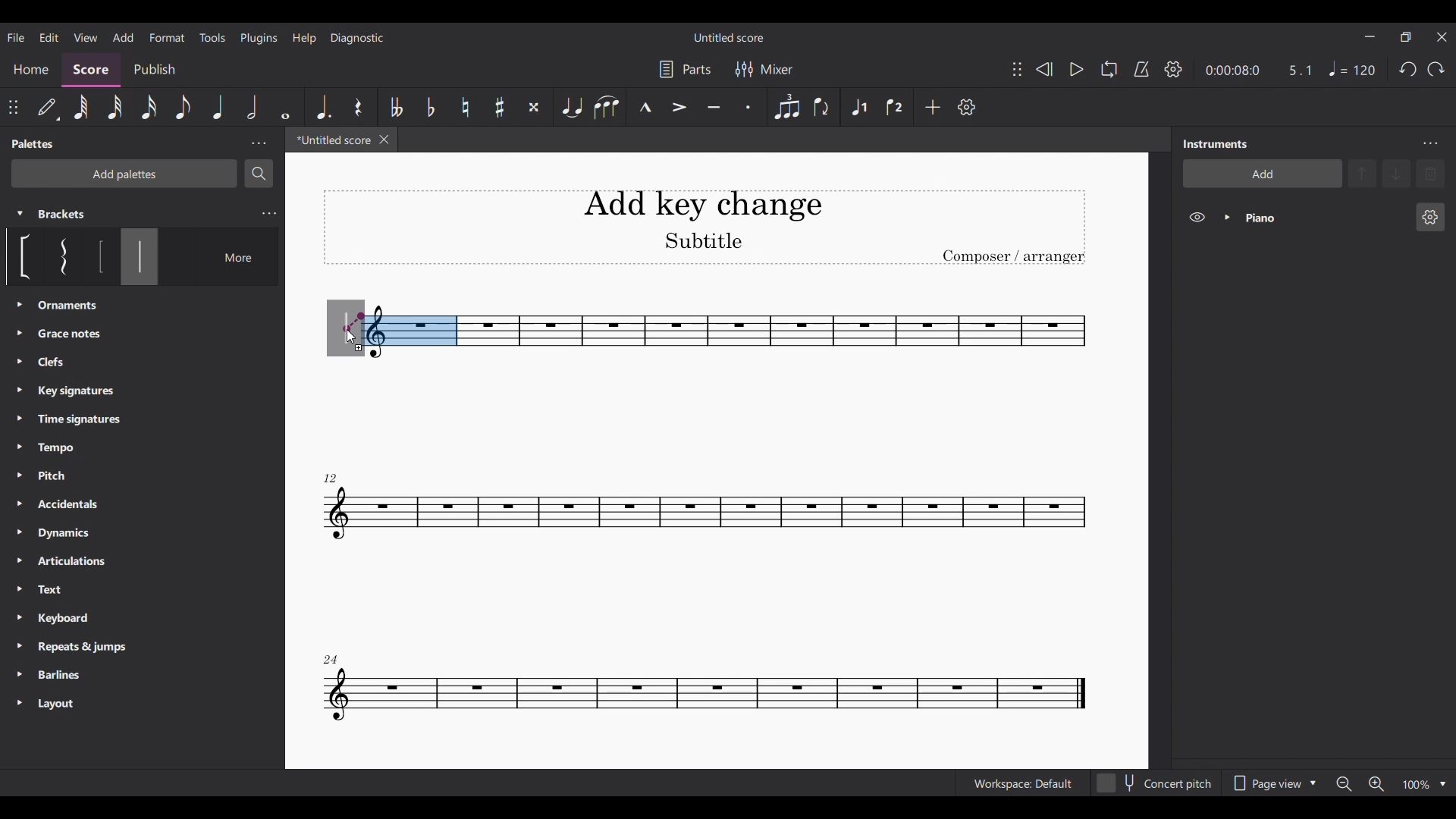  I want to click on Instruments settings, so click(1430, 143).